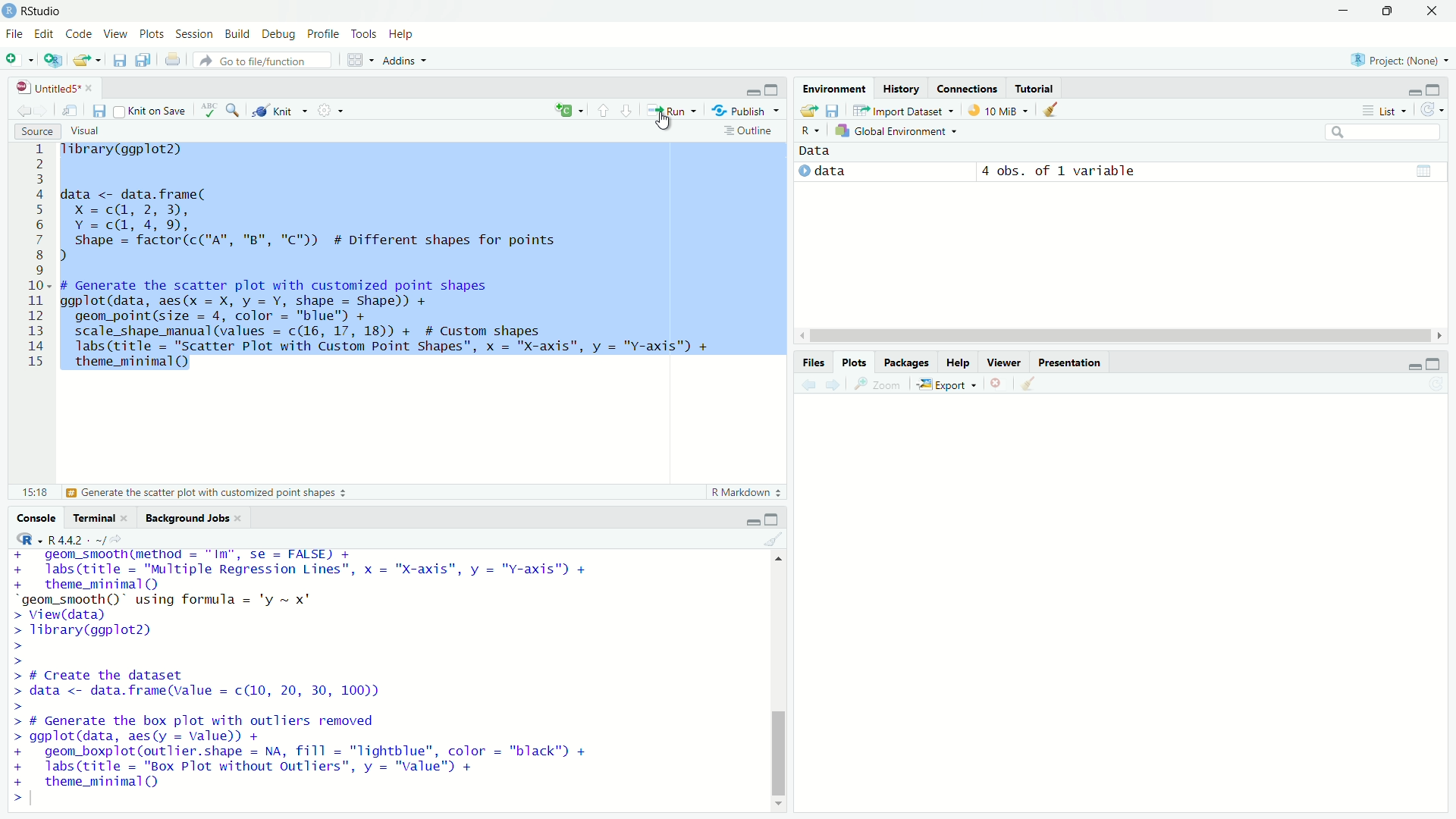  What do you see at coordinates (1413, 366) in the screenshot?
I see `minimize` at bounding box center [1413, 366].